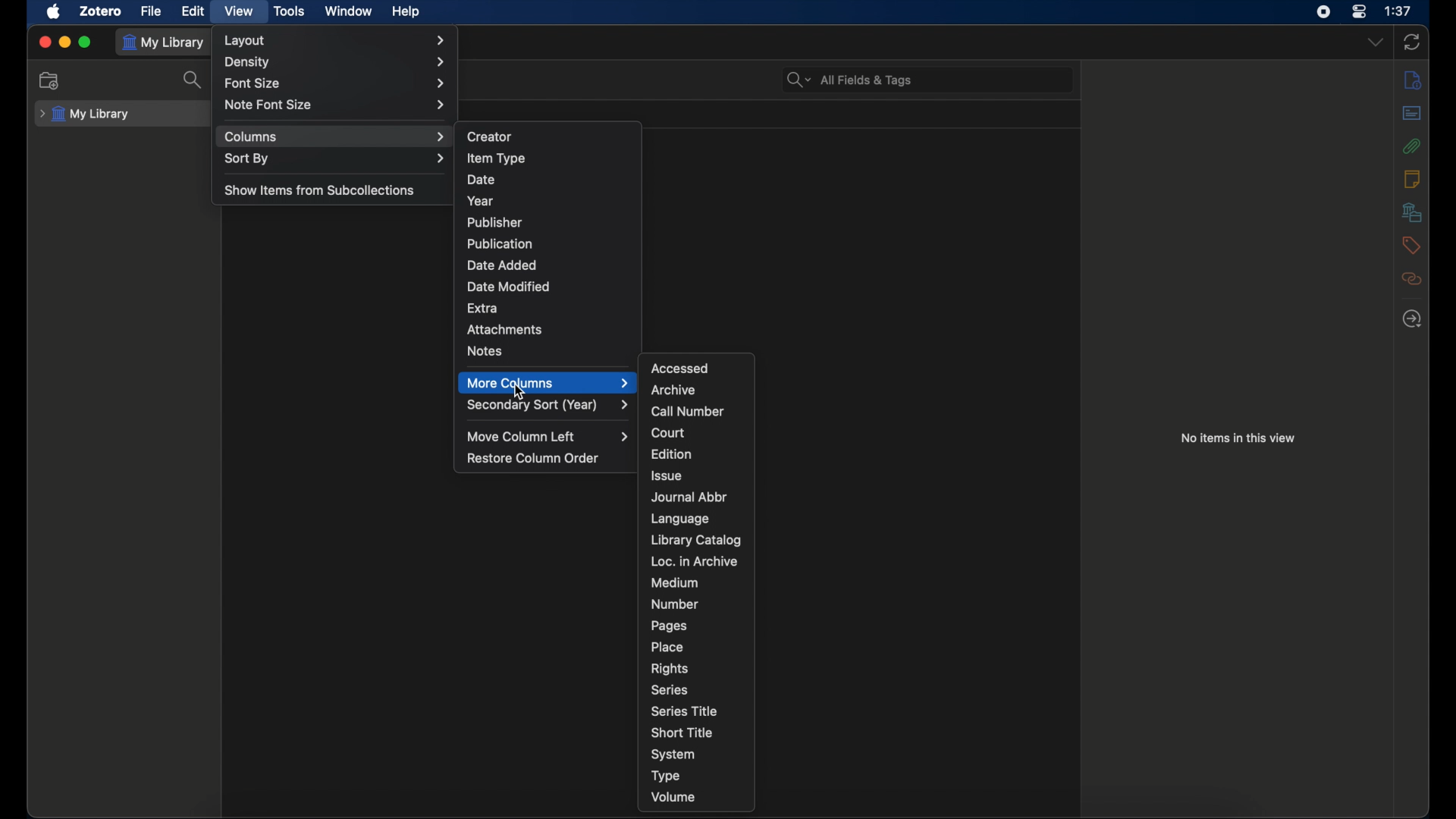 This screenshot has height=819, width=1456. I want to click on system, so click(673, 755).